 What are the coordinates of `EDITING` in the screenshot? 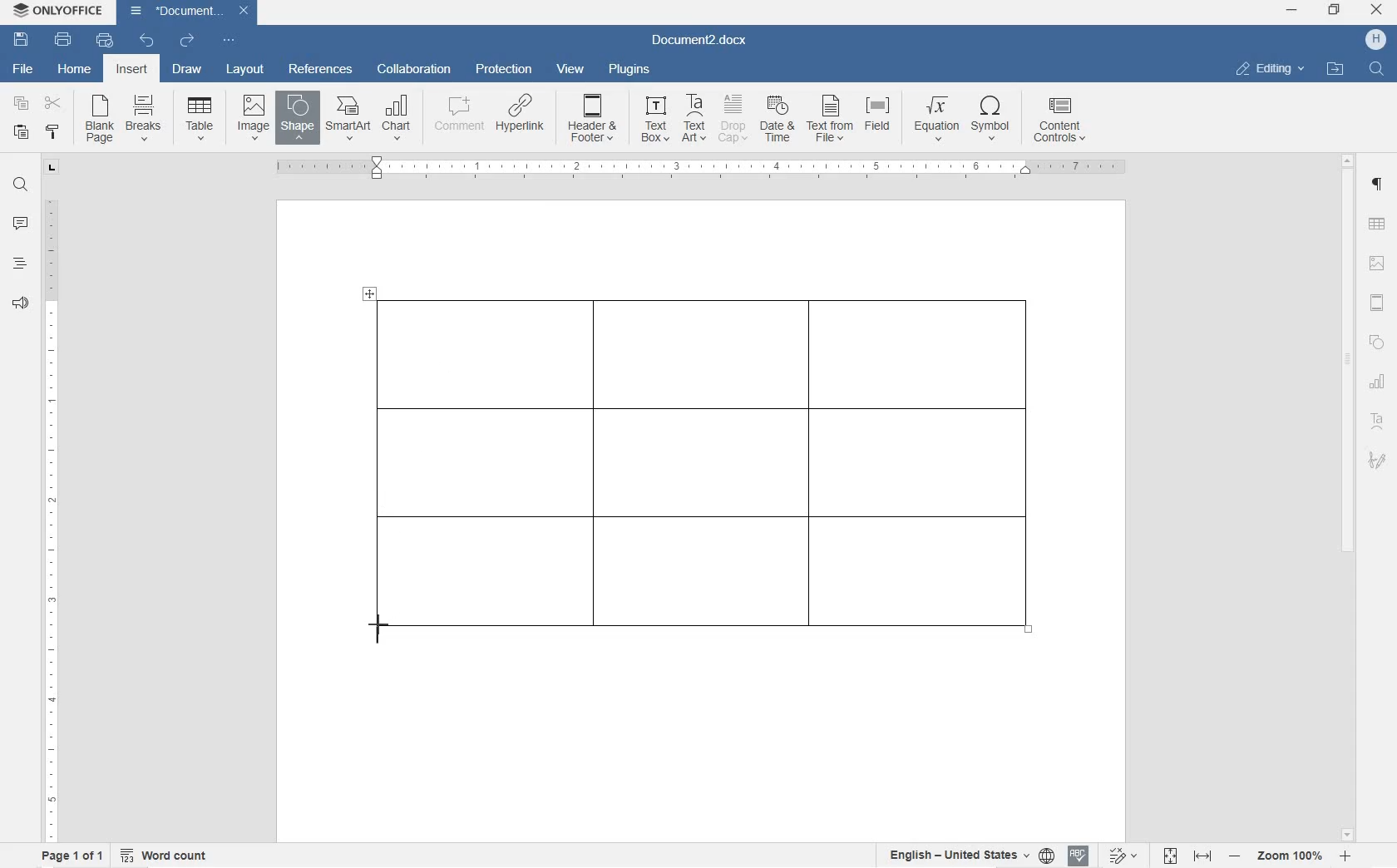 It's located at (1271, 68).